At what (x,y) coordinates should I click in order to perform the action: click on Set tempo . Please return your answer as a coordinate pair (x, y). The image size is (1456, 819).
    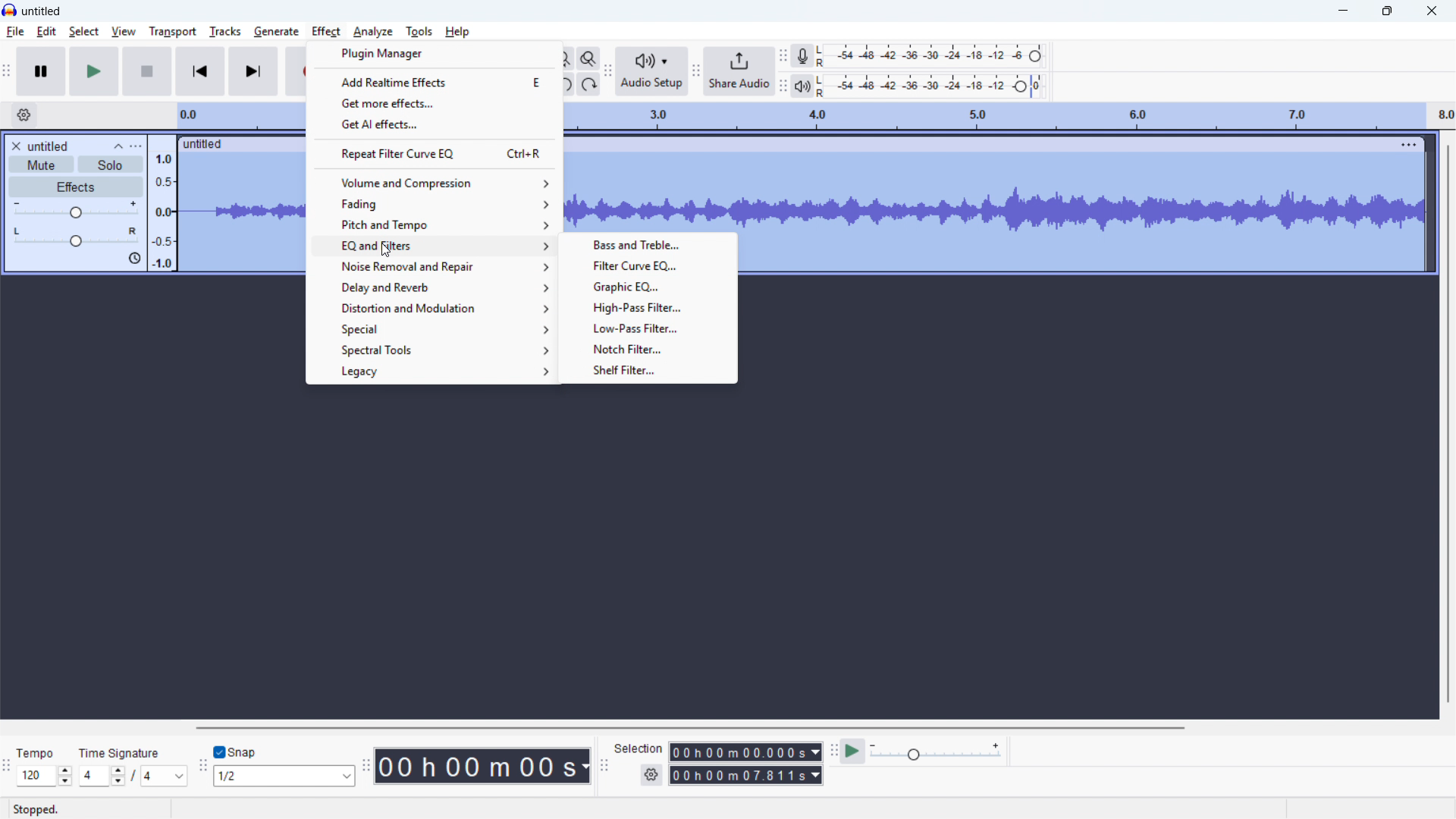
    Looking at the image, I should click on (43, 777).